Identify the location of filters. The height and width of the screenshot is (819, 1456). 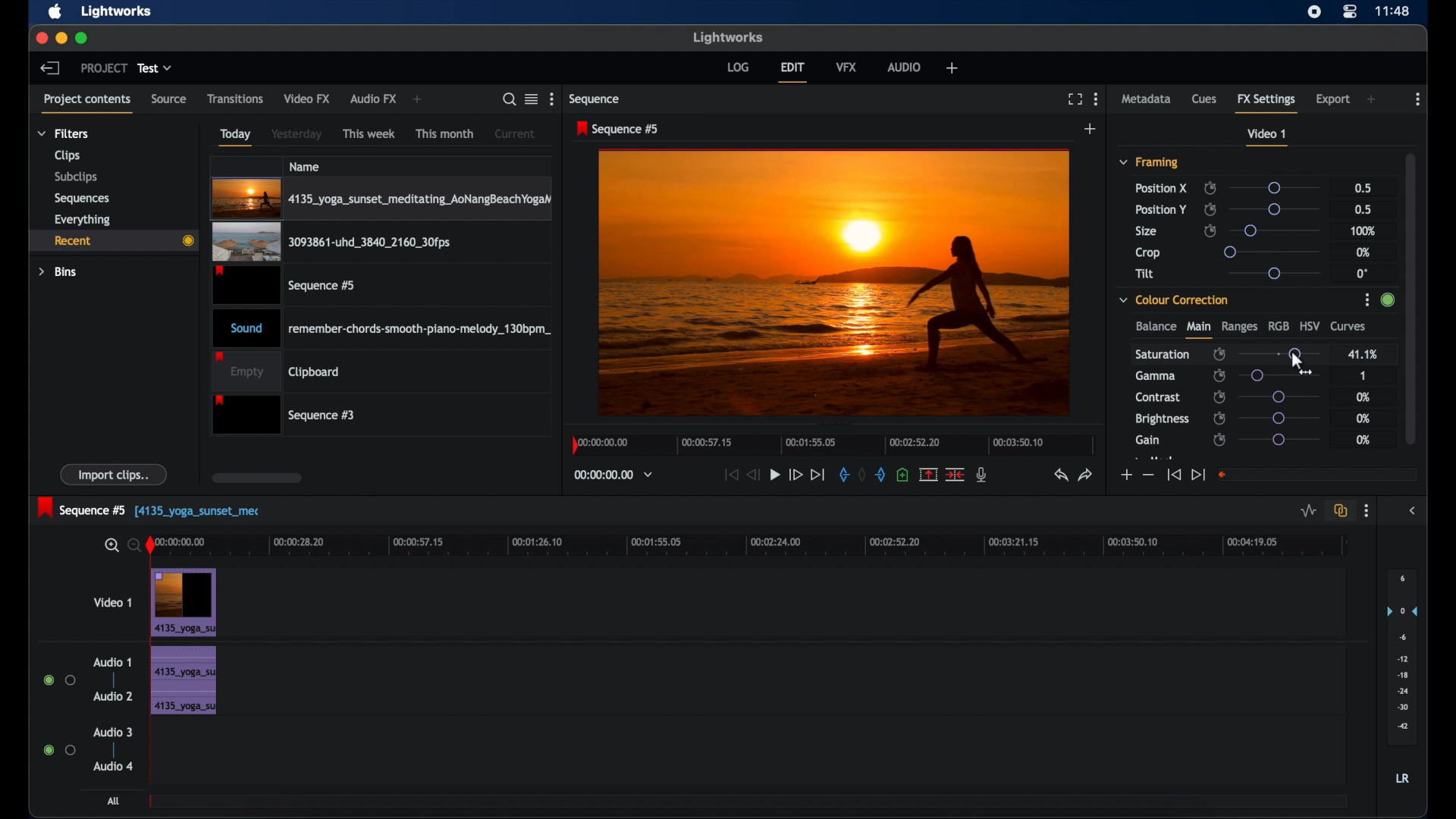
(62, 133).